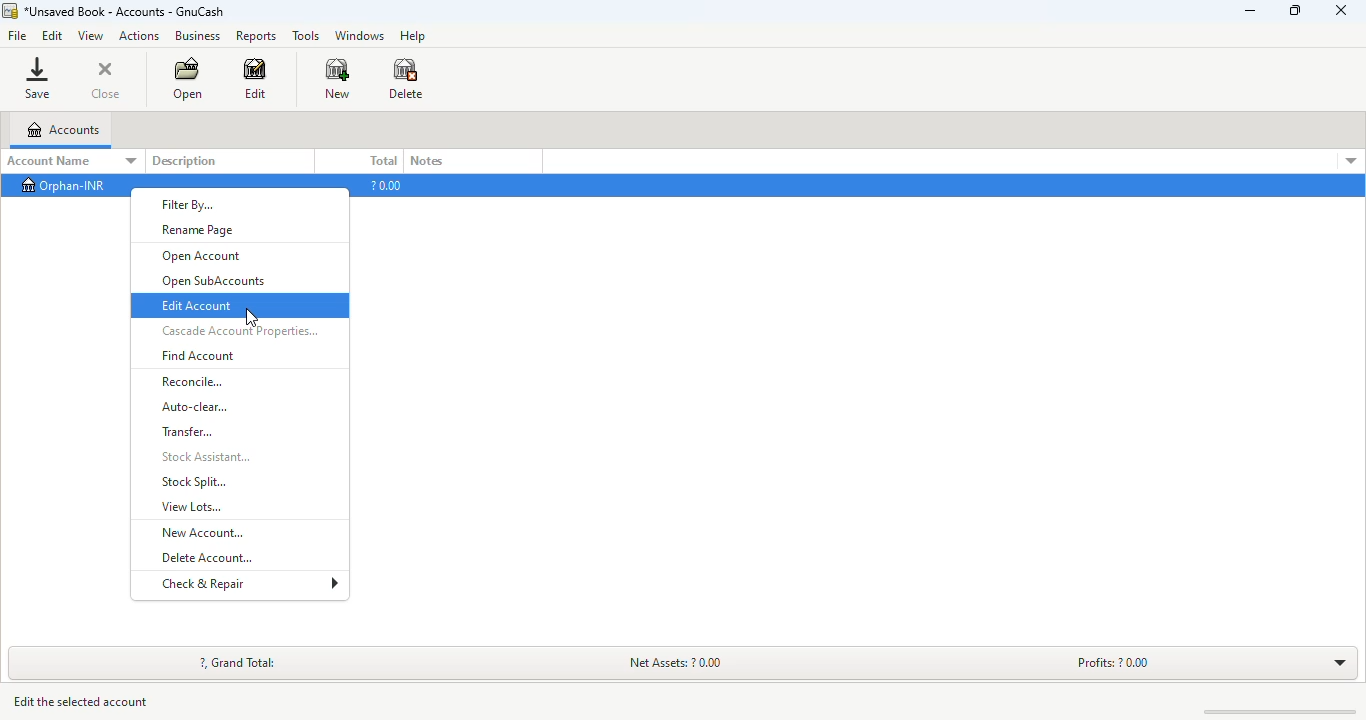  What do you see at coordinates (105, 80) in the screenshot?
I see `close` at bounding box center [105, 80].